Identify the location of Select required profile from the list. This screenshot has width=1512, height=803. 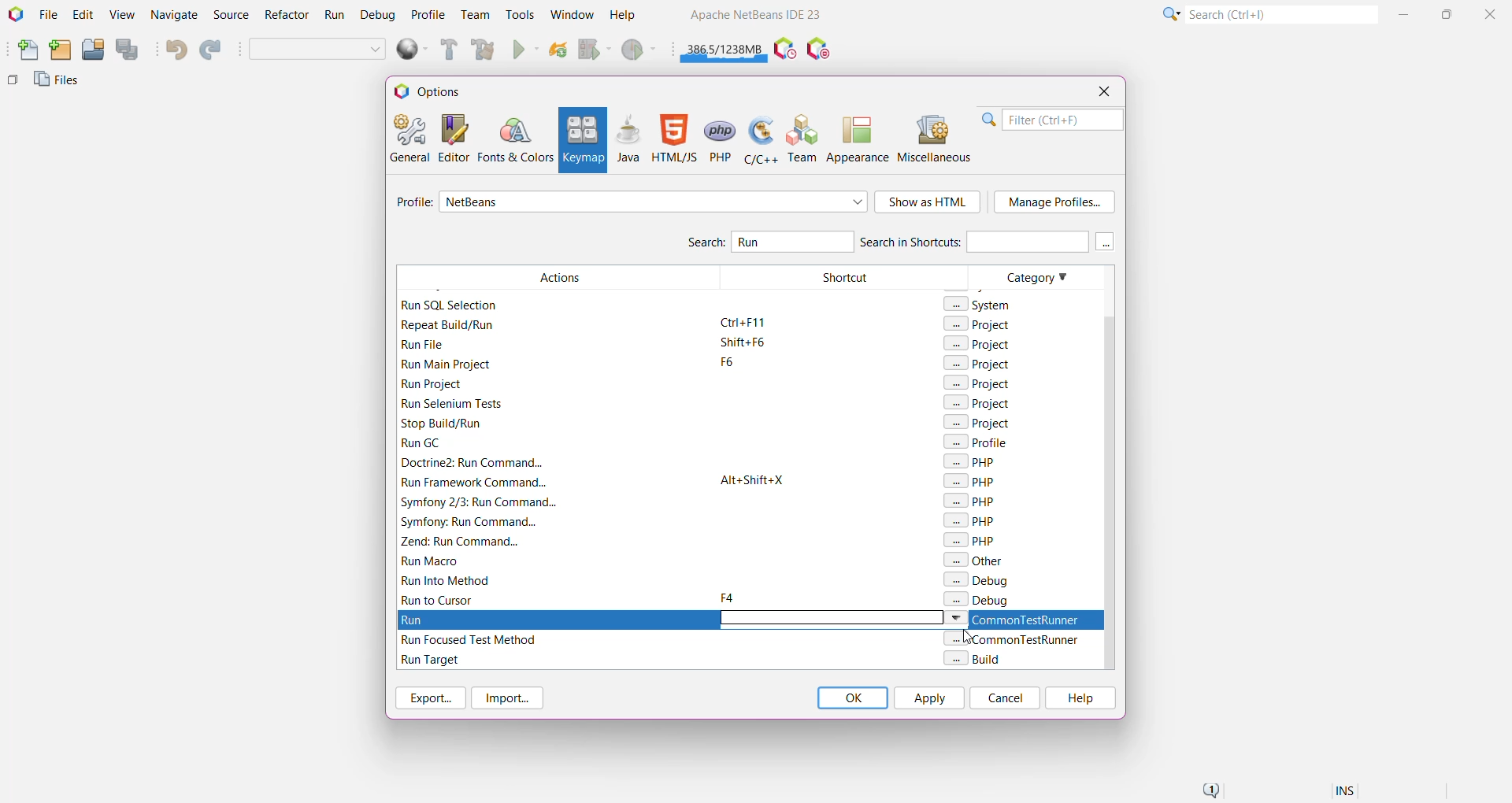
(654, 202).